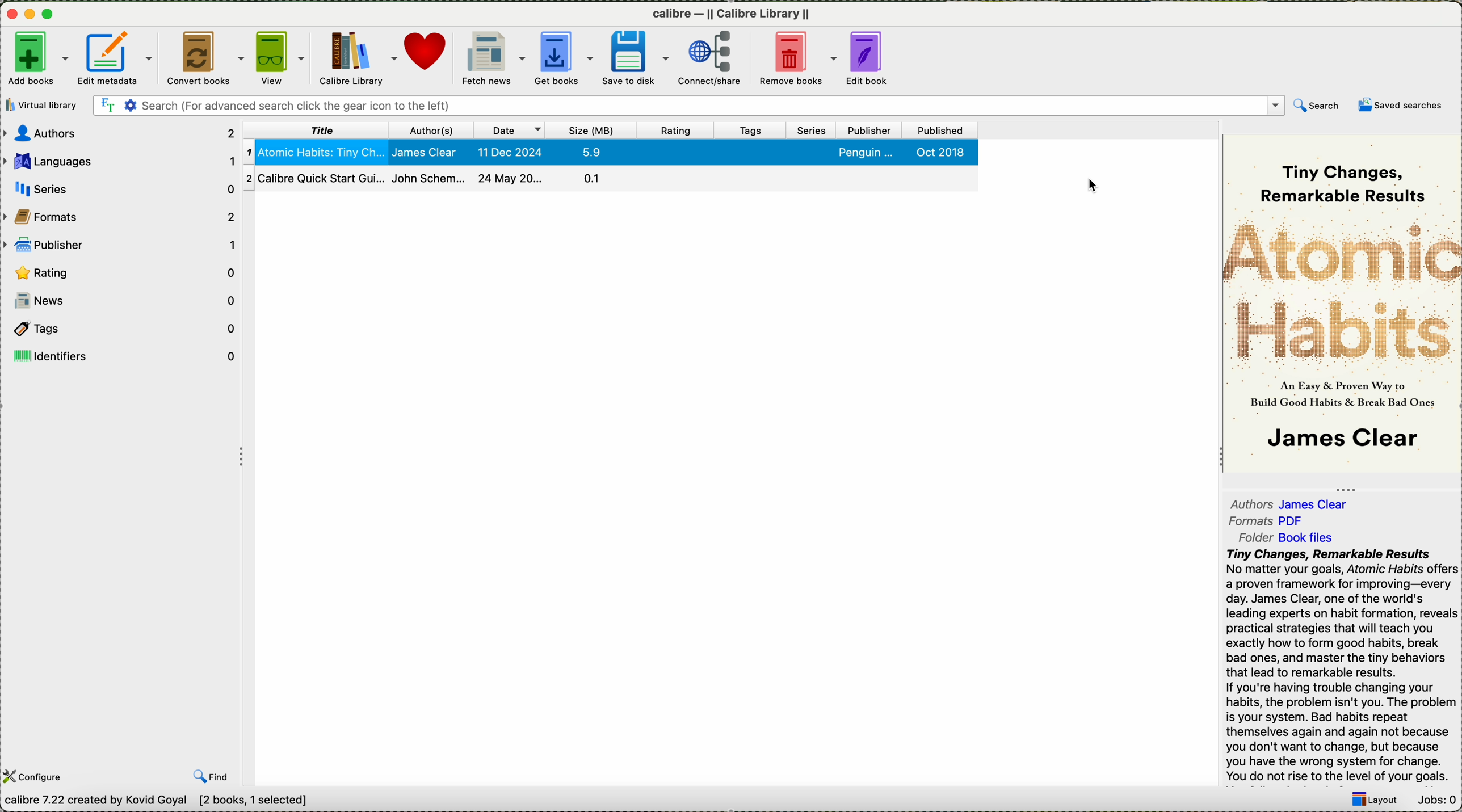  I want to click on connect/share, so click(711, 58).